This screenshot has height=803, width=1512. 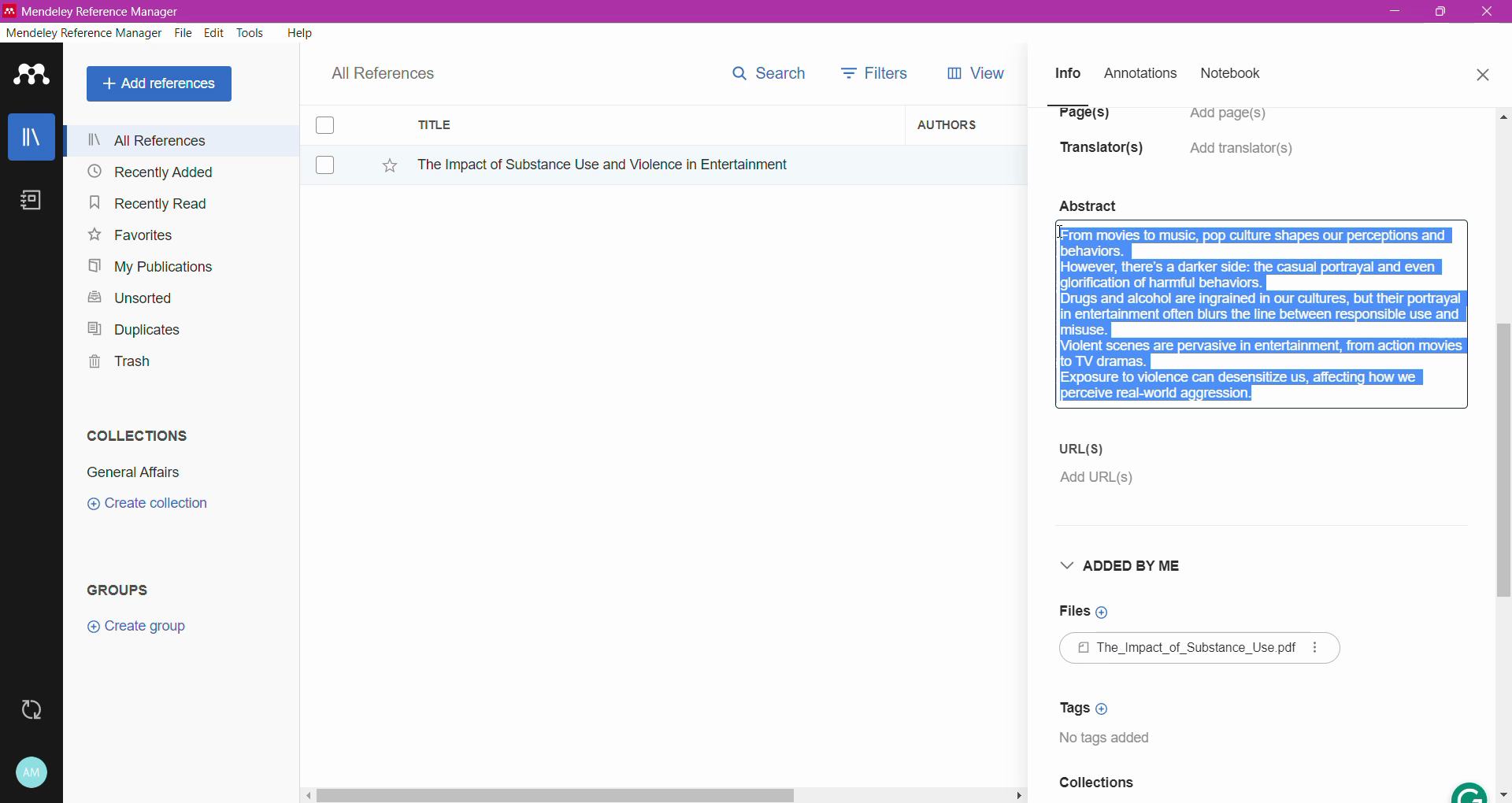 What do you see at coordinates (333, 144) in the screenshot?
I see `Click to select item(s)` at bounding box center [333, 144].